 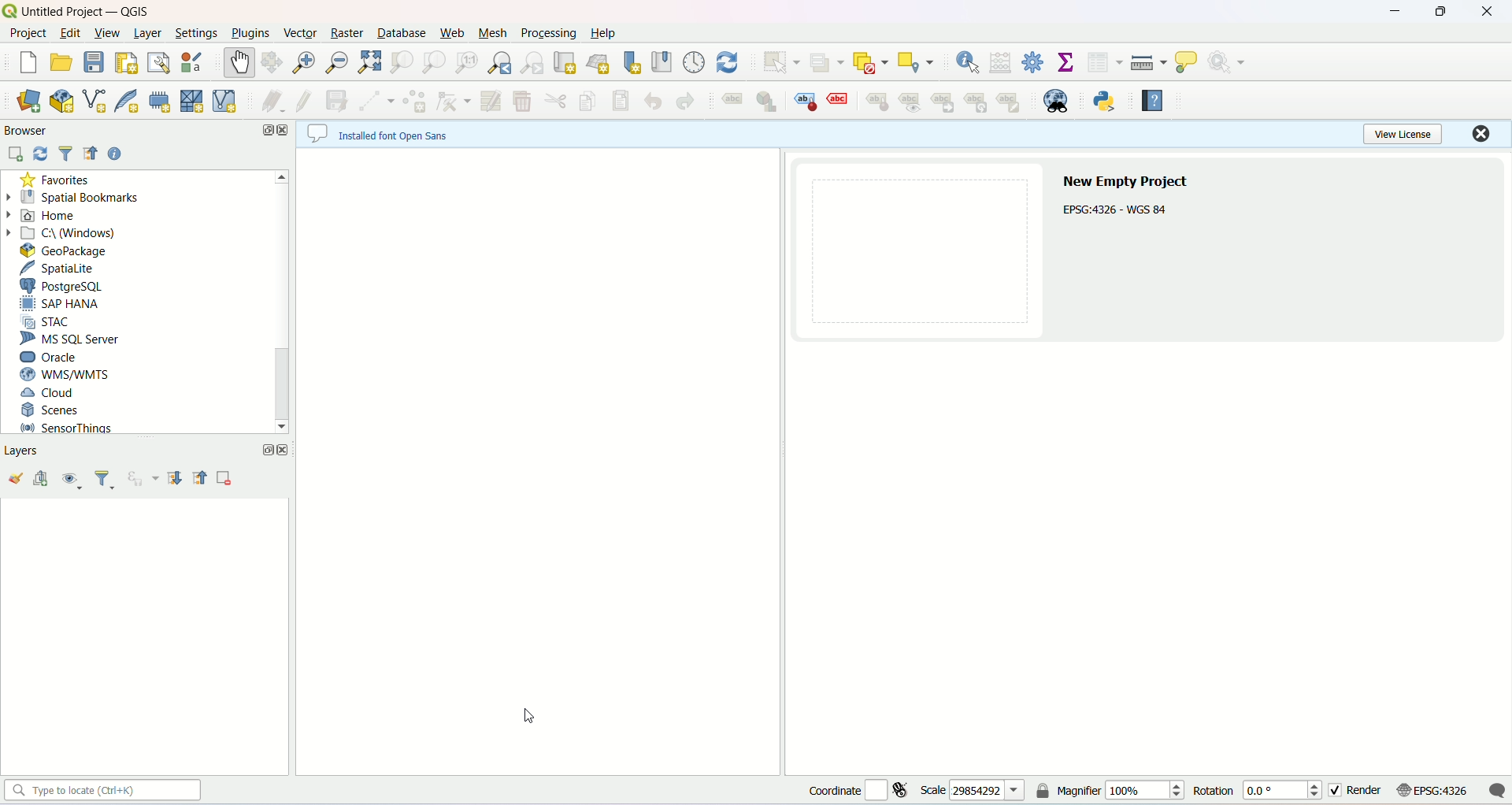 I want to click on expand all, so click(x=176, y=479).